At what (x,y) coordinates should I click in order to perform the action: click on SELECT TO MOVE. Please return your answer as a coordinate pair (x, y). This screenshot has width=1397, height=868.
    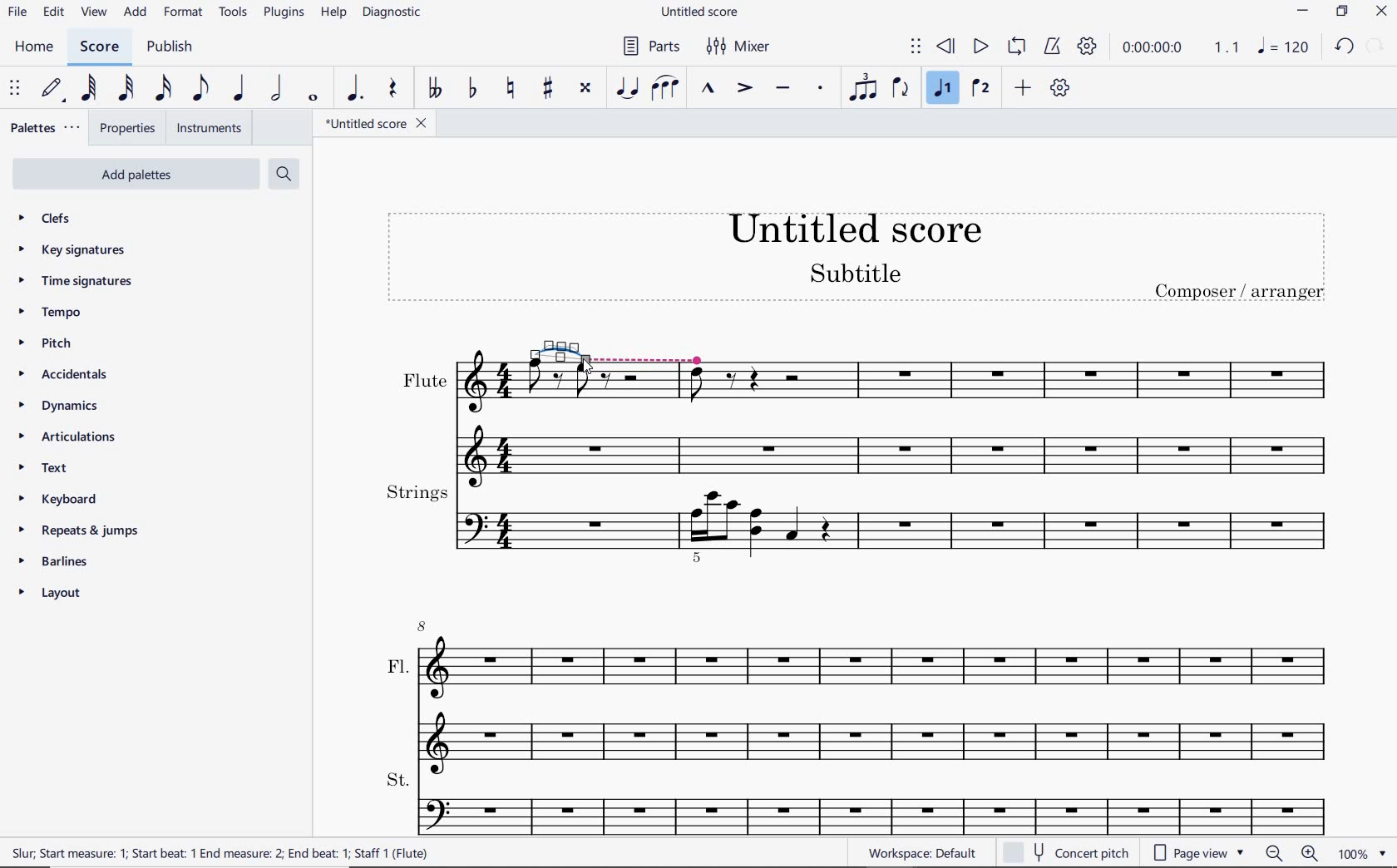
    Looking at the image, I should click on (915, 46).